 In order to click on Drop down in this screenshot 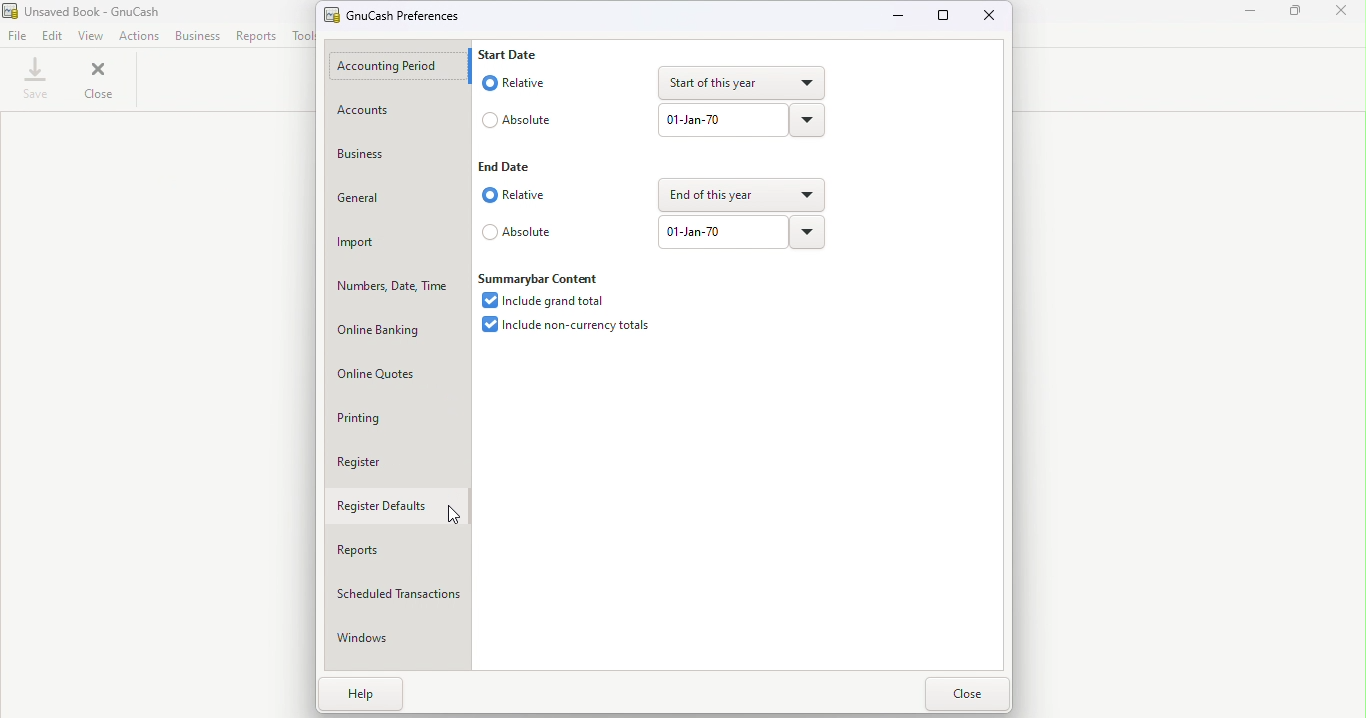, I will do `click(809, 119)`.